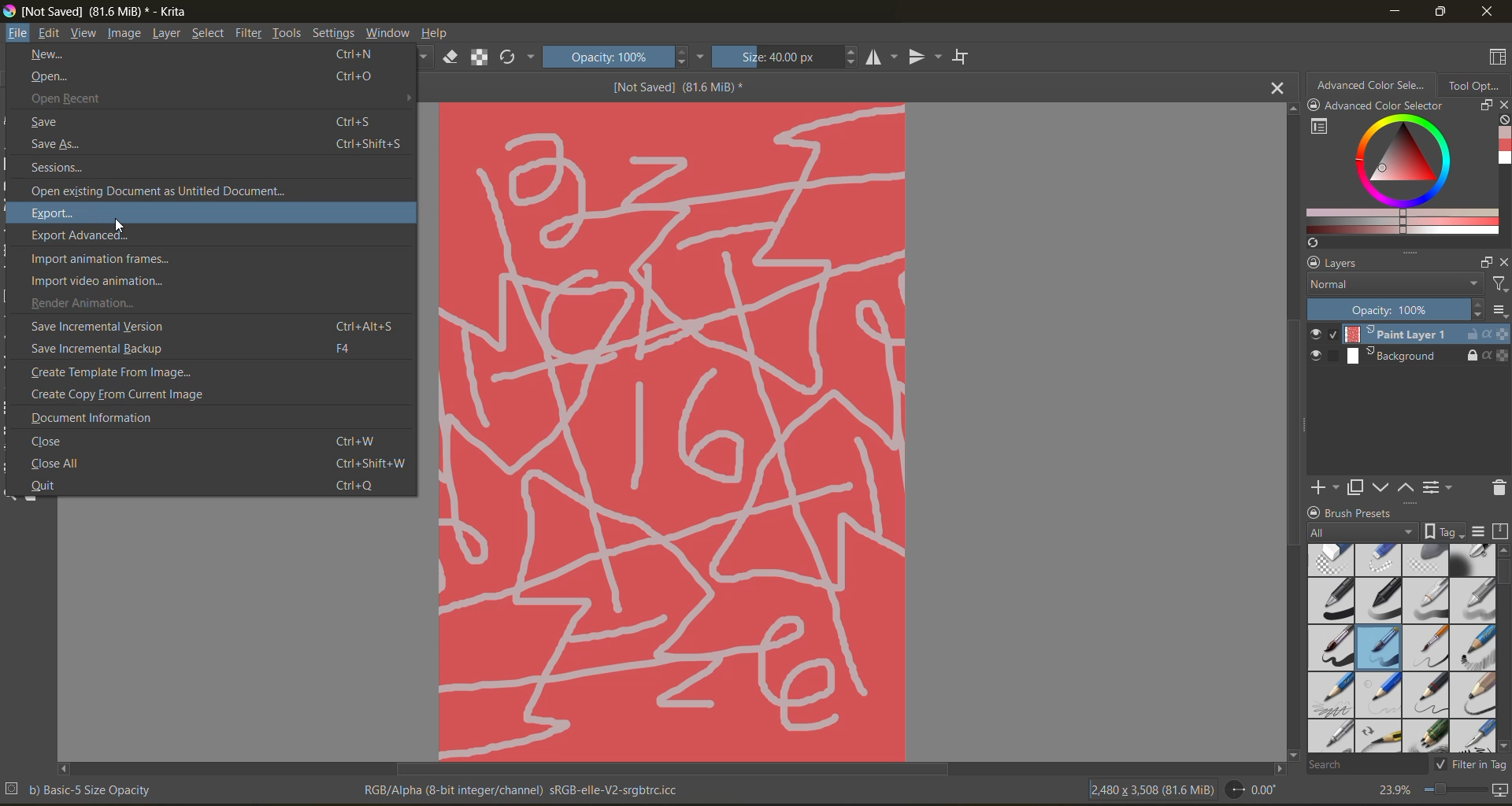 The width and height of the screenshot is (1512, 806). What do you see at coordinates (50, 35) in the screenshot?
I see `edit` at bounding box center [50, 35].